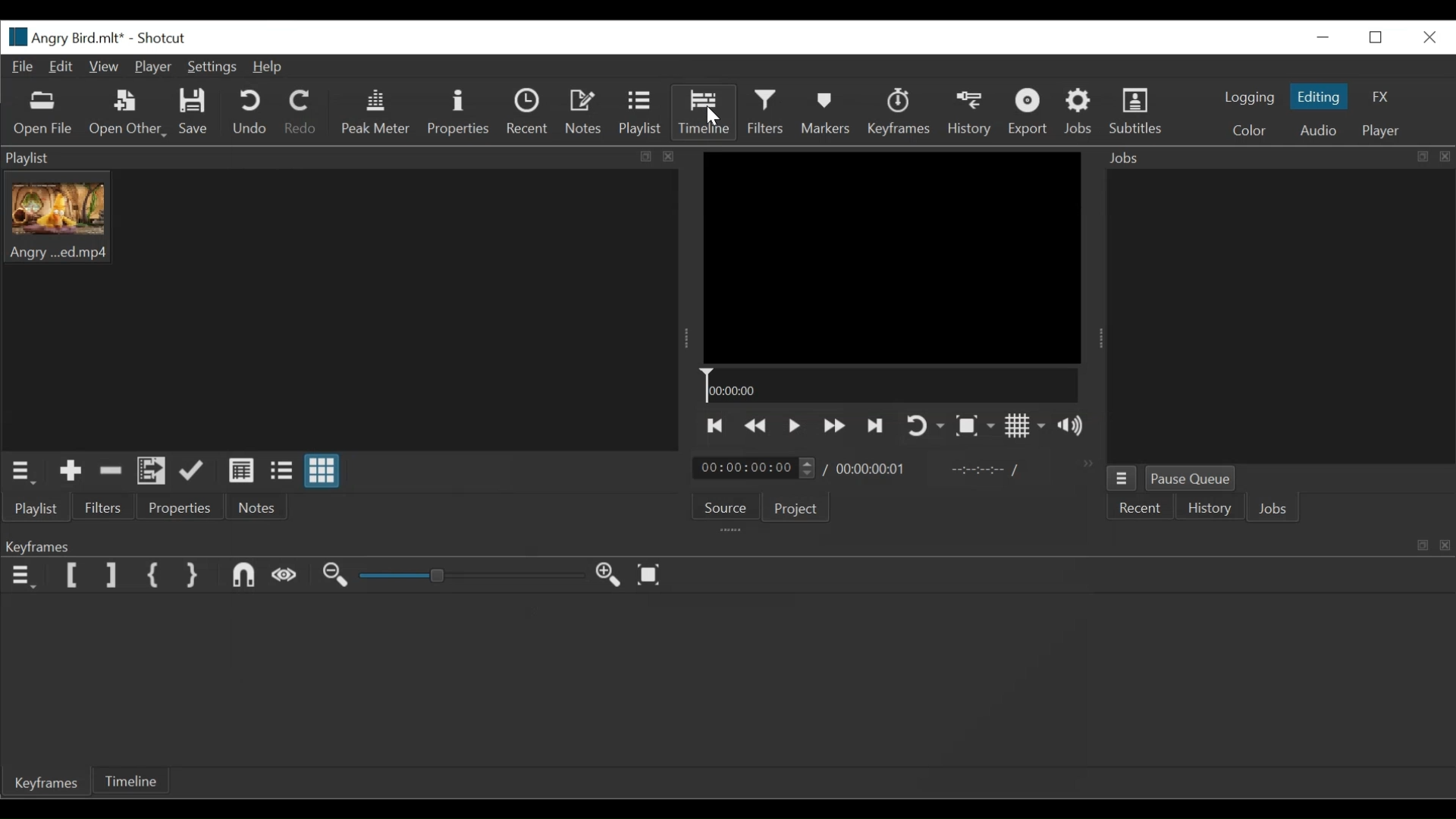 The width and height of the screenshot is (1456, 819). Describe the element at coordinates (474, 576) in the screenshot. I see `Zoom slider` at that location.